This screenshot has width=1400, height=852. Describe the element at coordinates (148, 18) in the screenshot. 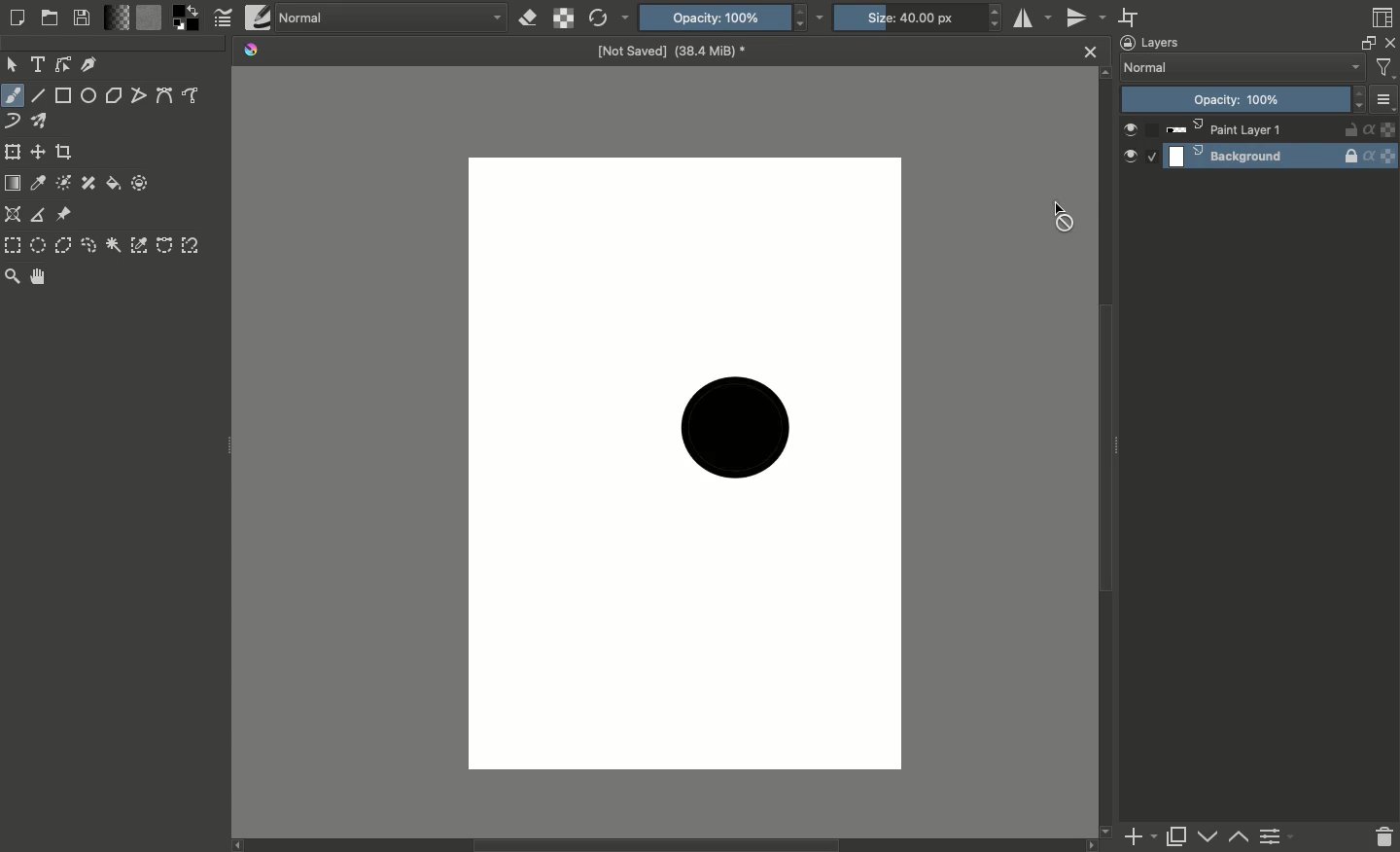

I see `Fill patterns` at that location.